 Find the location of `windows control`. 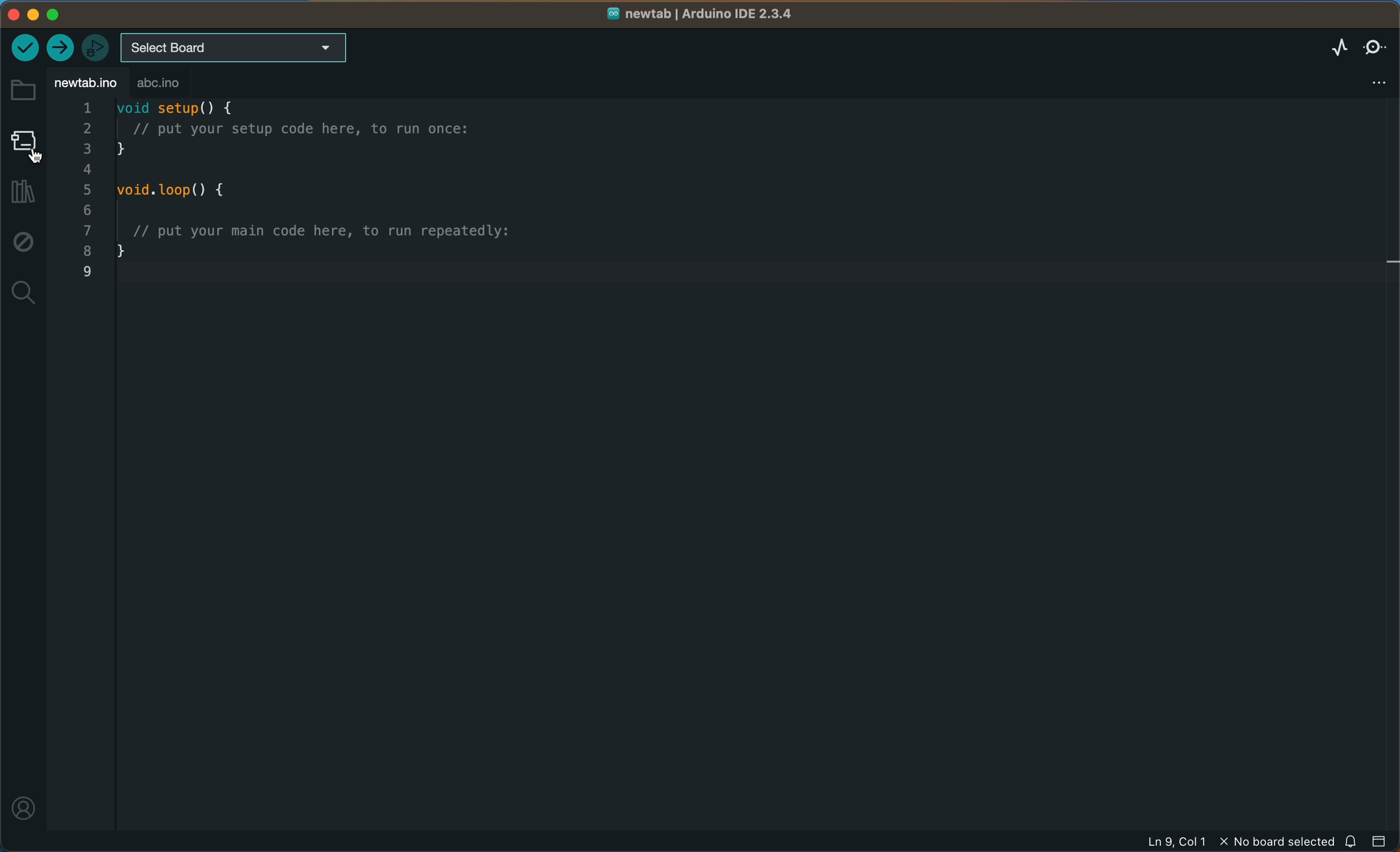

windows control is located at coordinates (52, 15).